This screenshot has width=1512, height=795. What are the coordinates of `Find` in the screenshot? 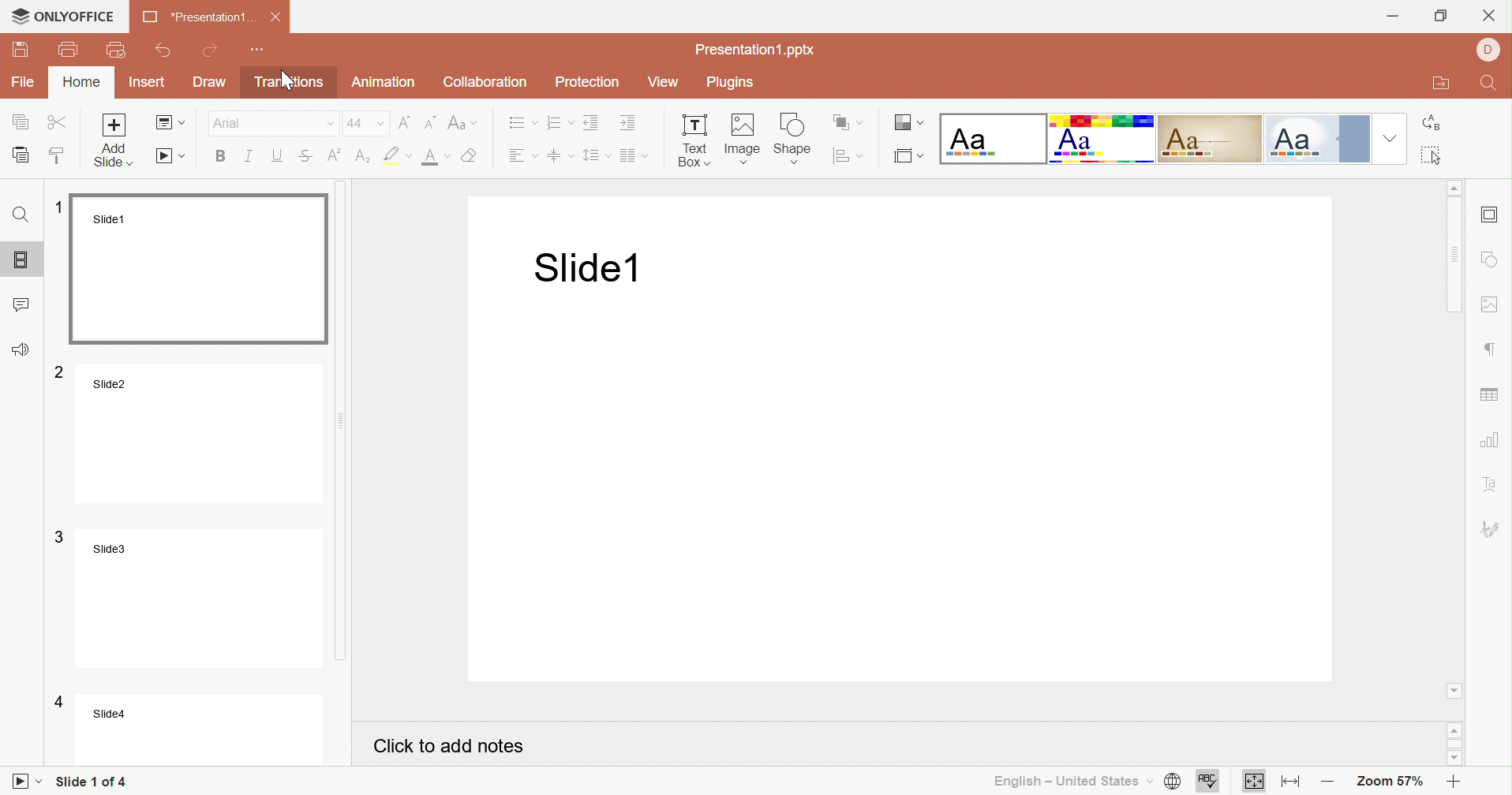 It's located at (1491, 82).